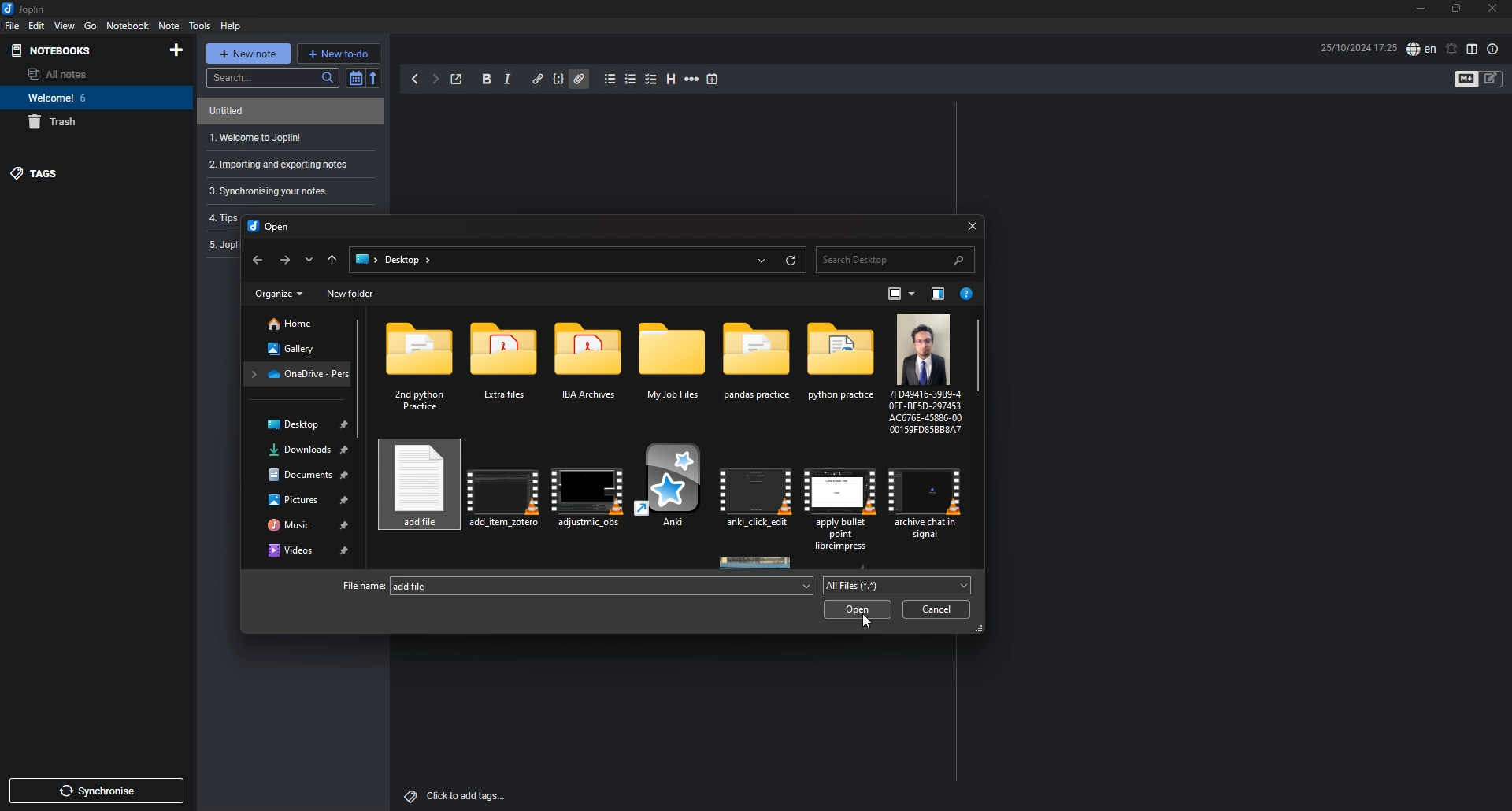  I want to click on all notes, so click(81, 73).